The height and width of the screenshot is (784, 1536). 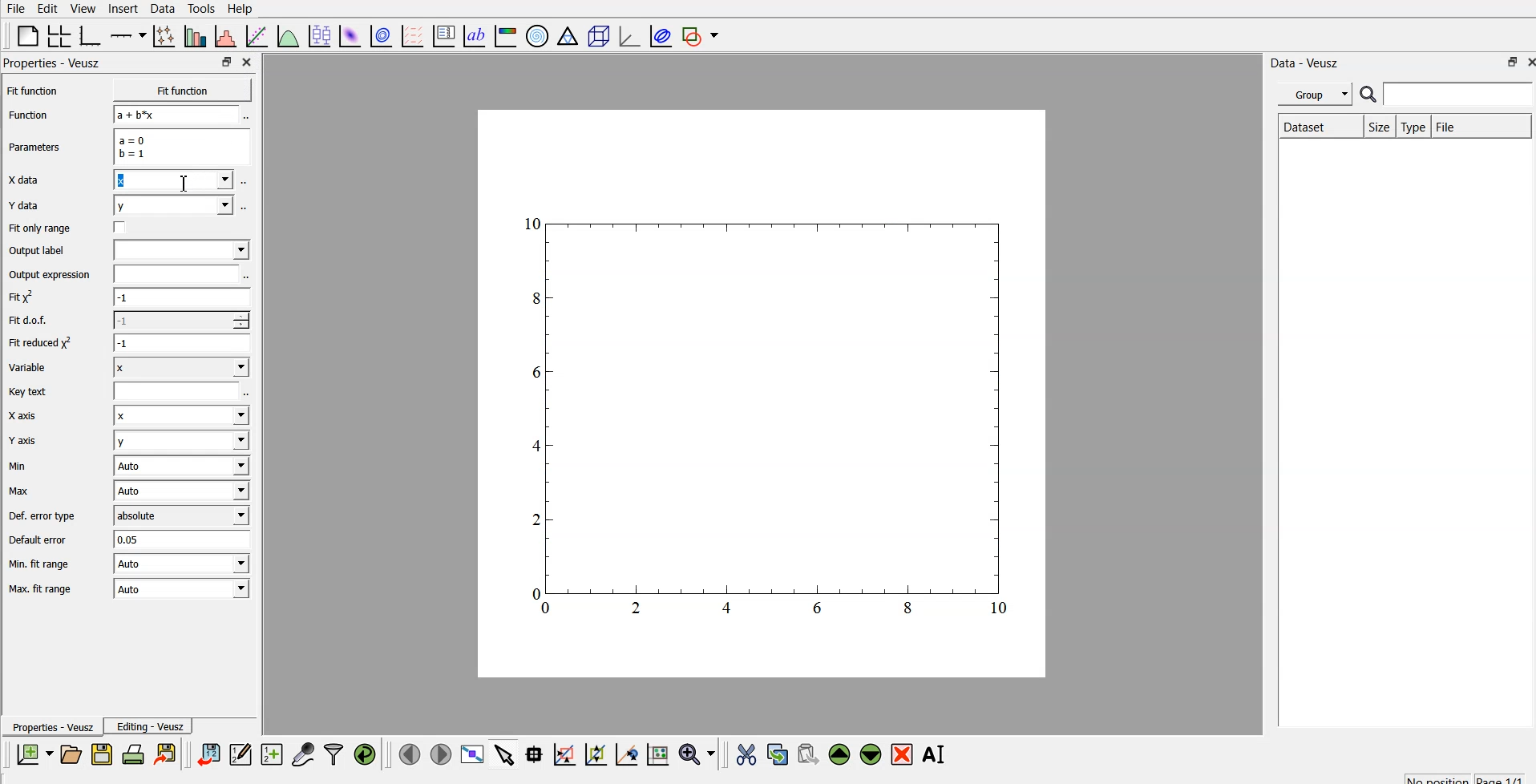 What do you see at coordinates (181, 564) in the screenshot?
I see `| Auto` at bounding box center [181, 564].